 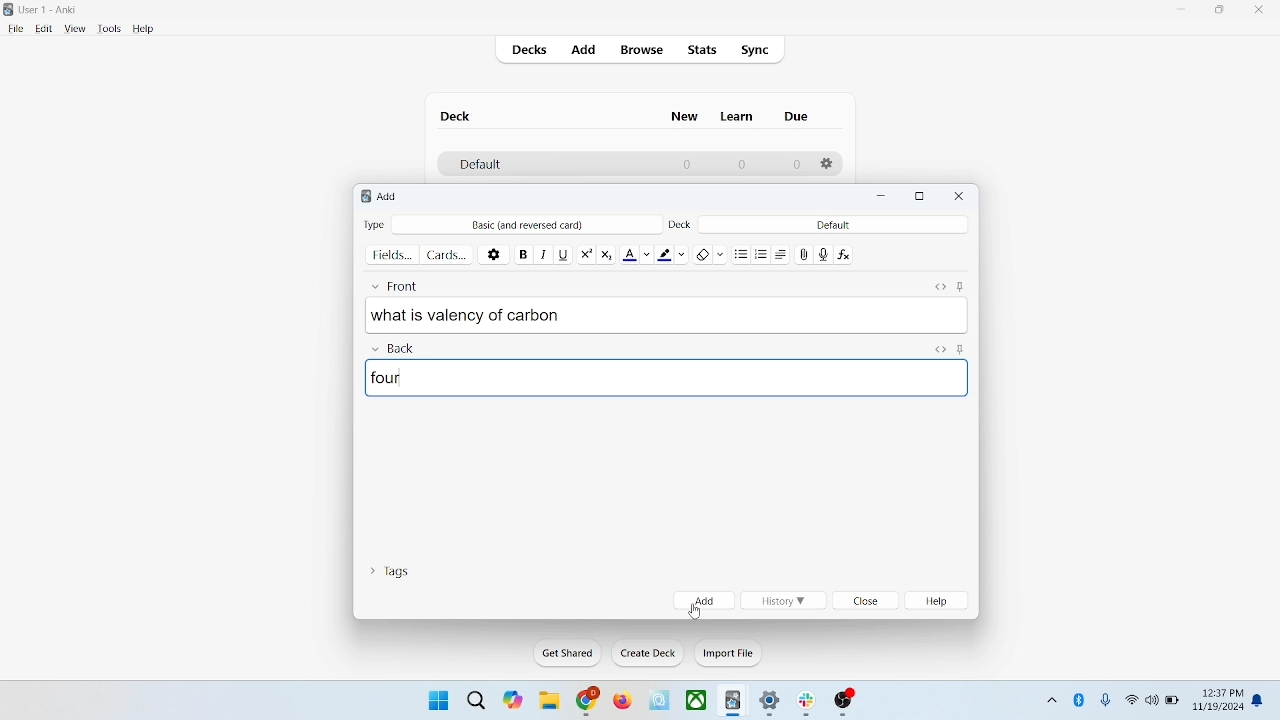 What do you see at coordinates (782, 601) in the screenshot?
I see `history` at bounding box center [782, 601].